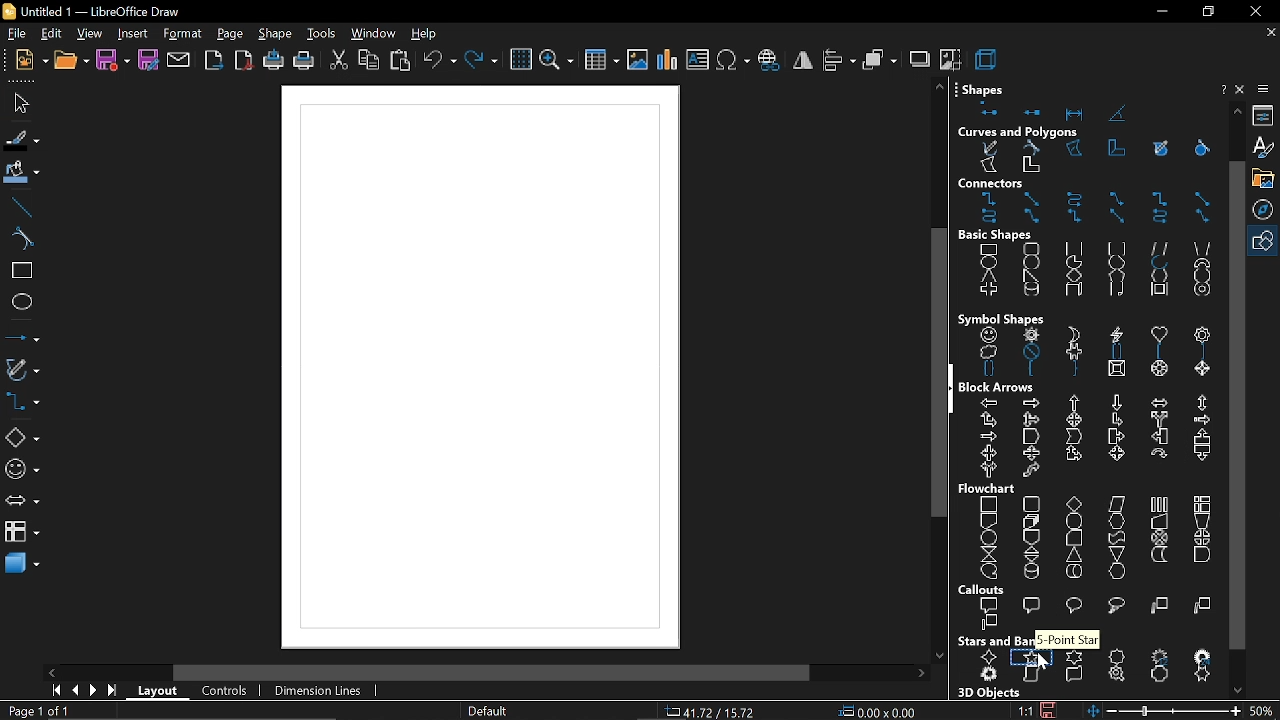 This screenshot has width=1280, height=720. Describe the element at coordinates (224, 691) in the screenshot. I see `controls` at that location.